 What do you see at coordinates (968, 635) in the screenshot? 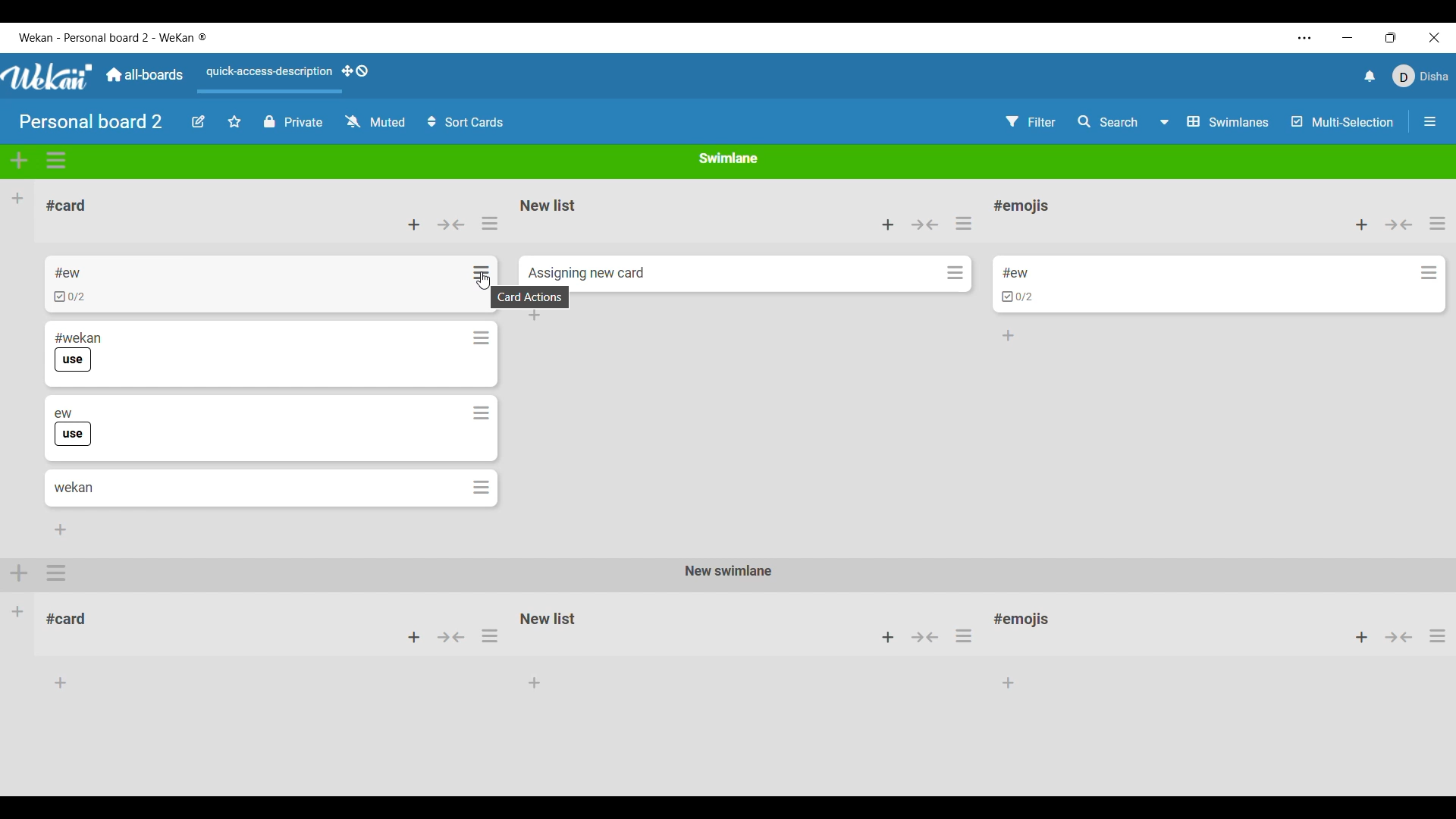
I see `options` at bounding box center [968, 635].